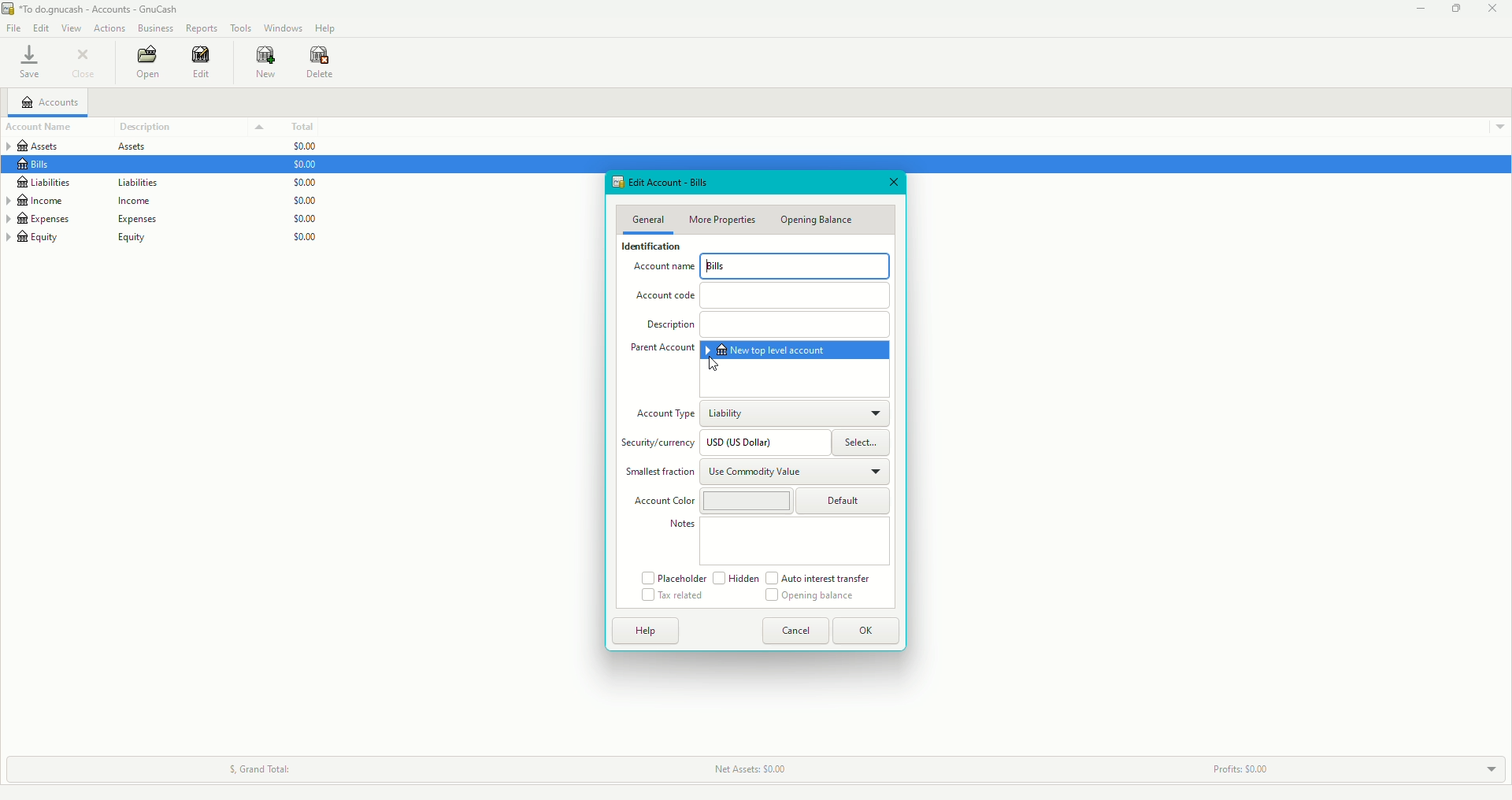 This screenshot has width=1512, height=800. Describe the element at coordinates (90, 200) in the screenshot. I see `Income` at that location.